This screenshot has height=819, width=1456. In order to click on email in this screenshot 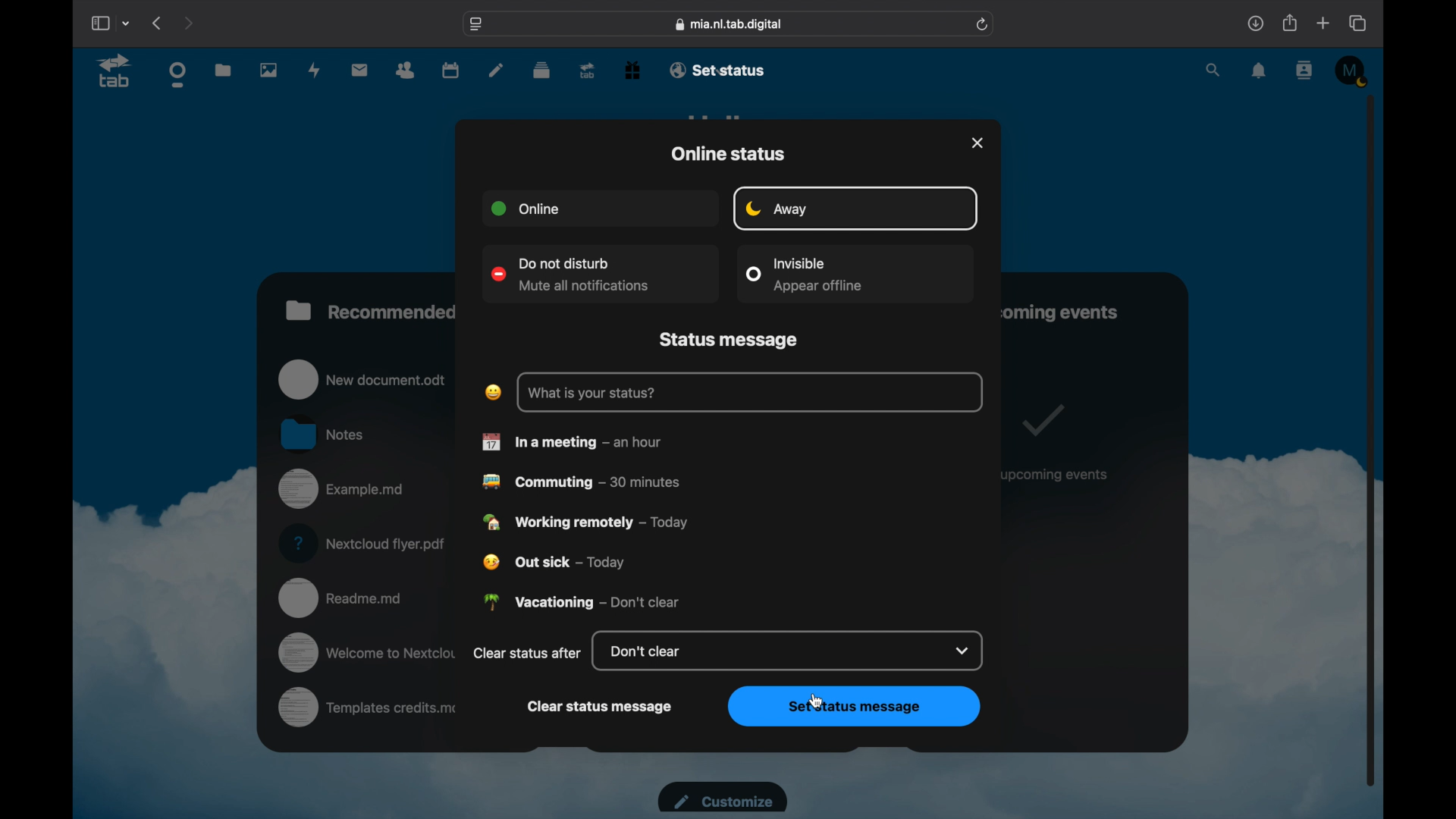, I will do `click(679, 70)`.